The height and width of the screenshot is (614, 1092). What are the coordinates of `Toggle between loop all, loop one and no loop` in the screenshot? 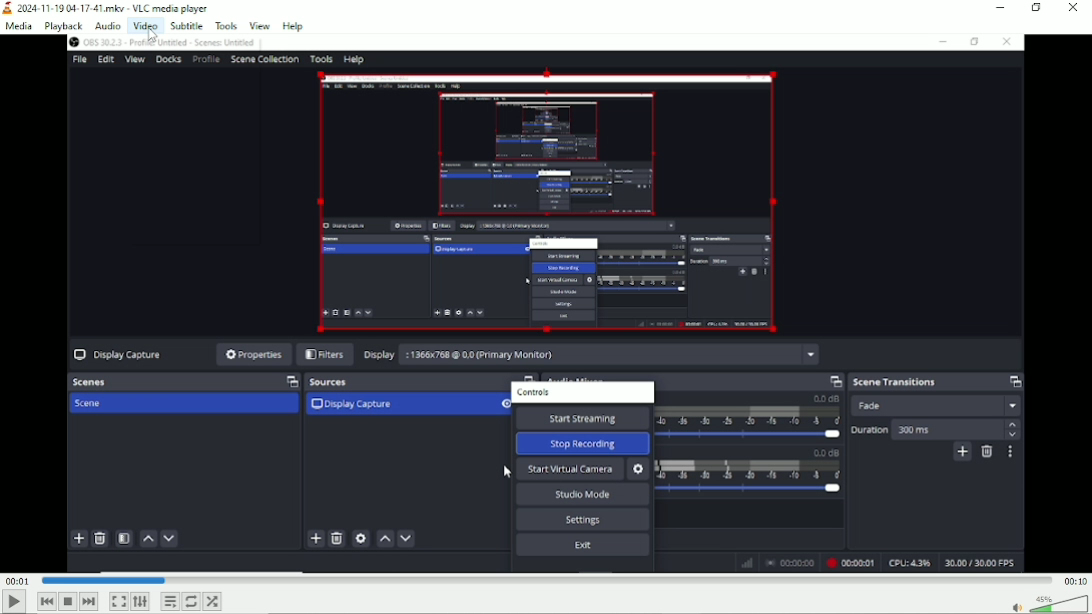 It's located at (192, 601).